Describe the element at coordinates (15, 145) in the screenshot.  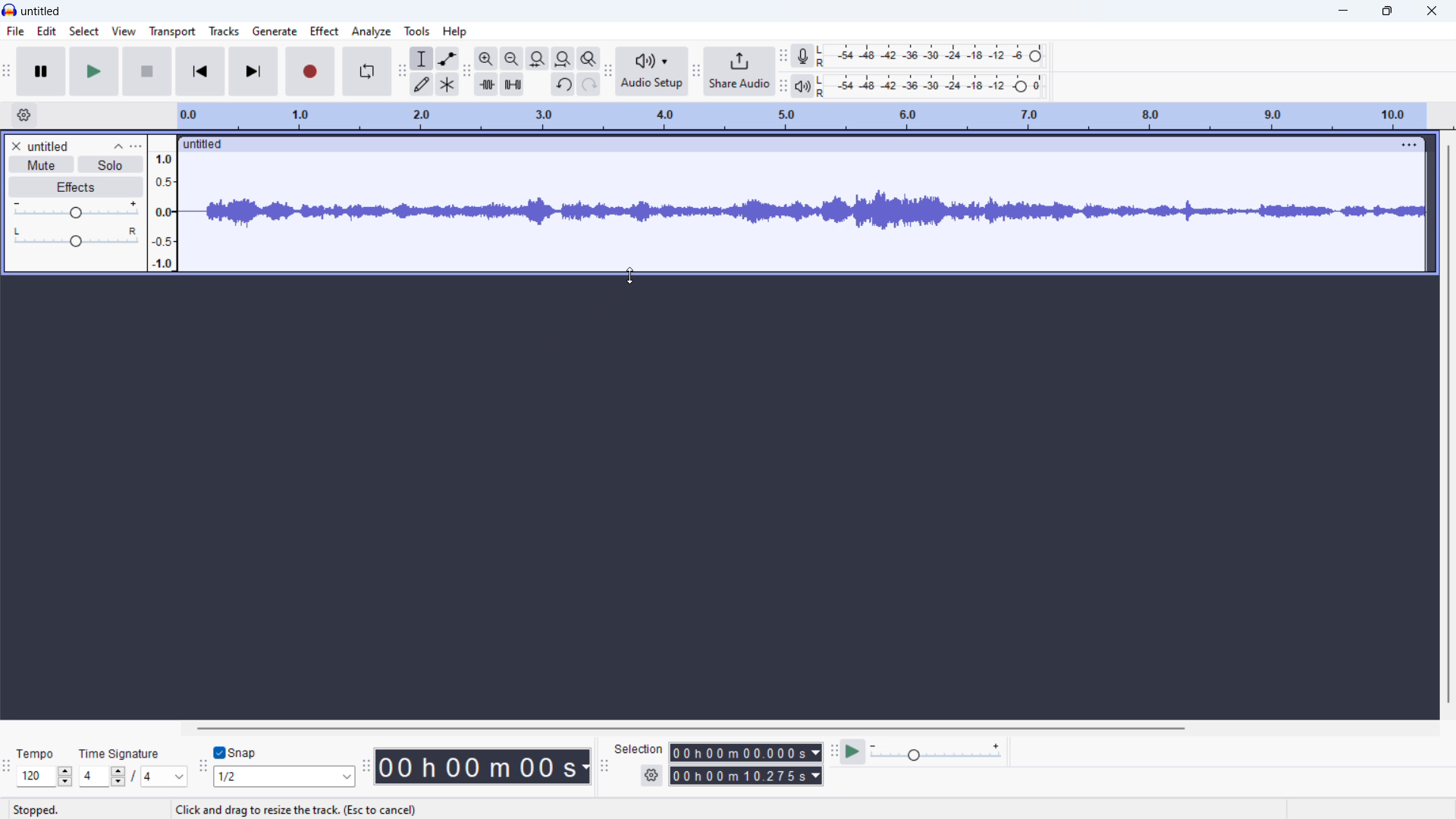
I see `remove track` at that location.